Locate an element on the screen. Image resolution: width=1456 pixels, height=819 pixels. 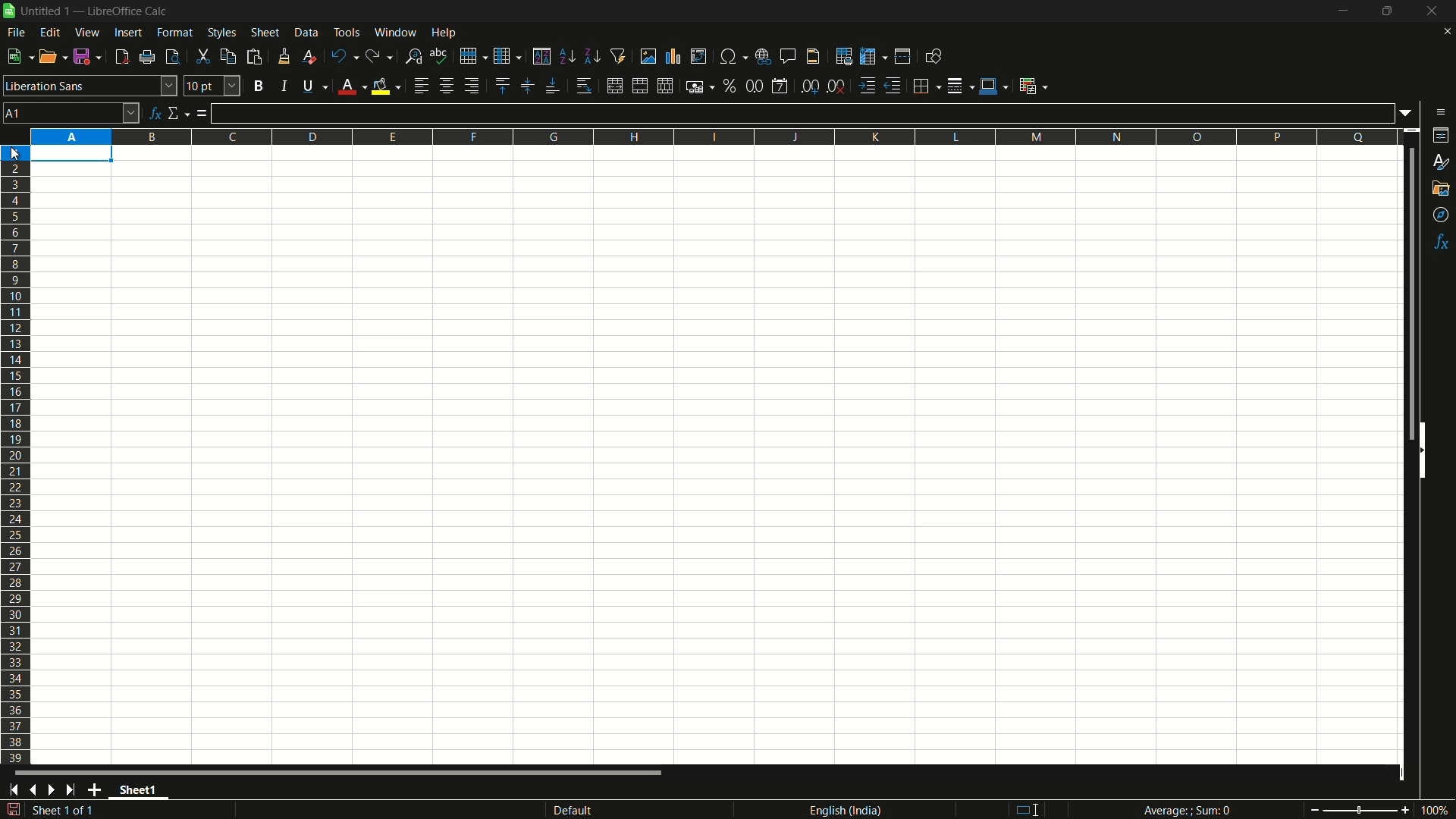
previous sheet is located at coordinates (32, 790).